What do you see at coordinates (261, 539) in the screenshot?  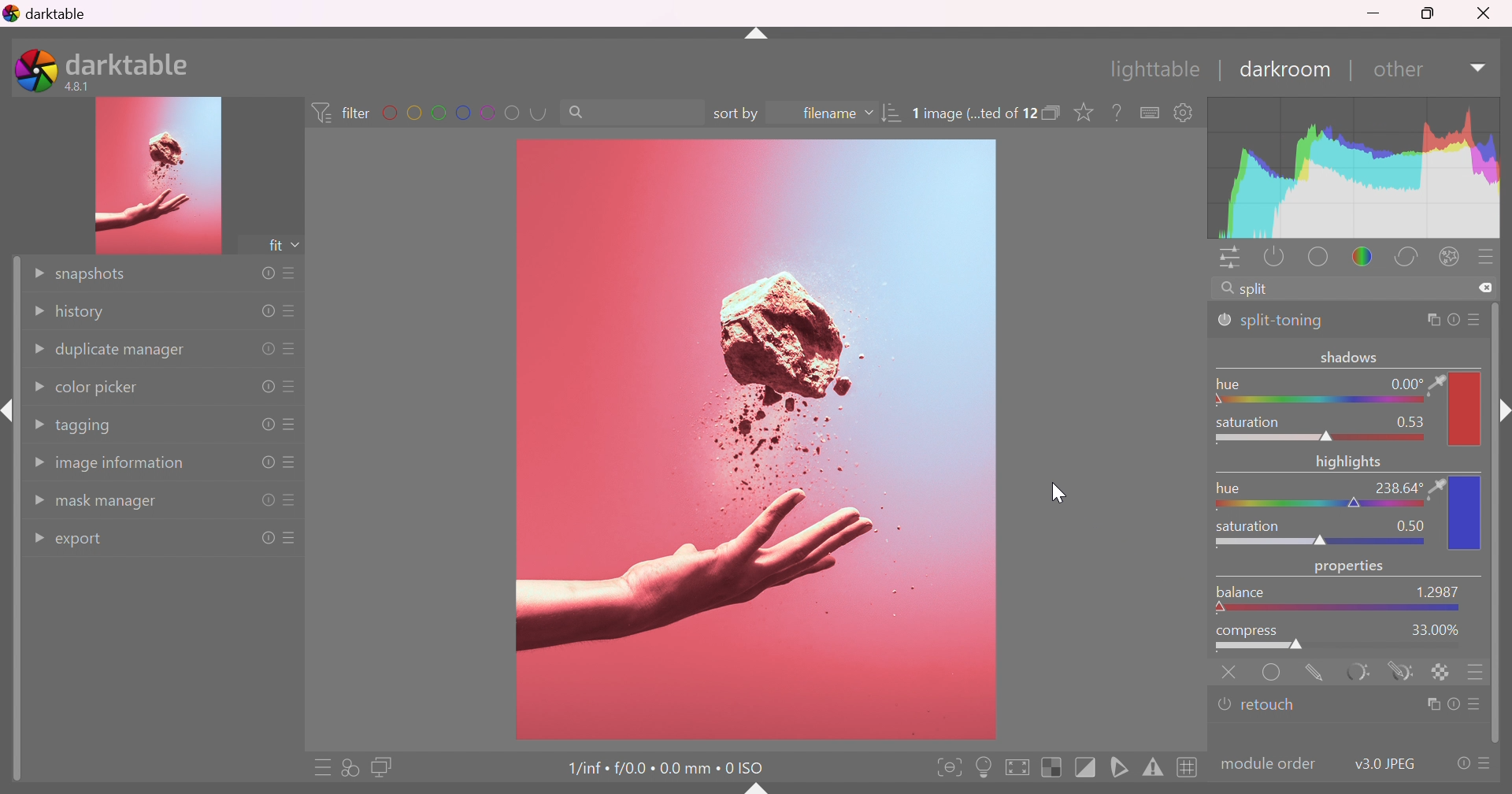 I see `reset` at bounding box center [261, 539].